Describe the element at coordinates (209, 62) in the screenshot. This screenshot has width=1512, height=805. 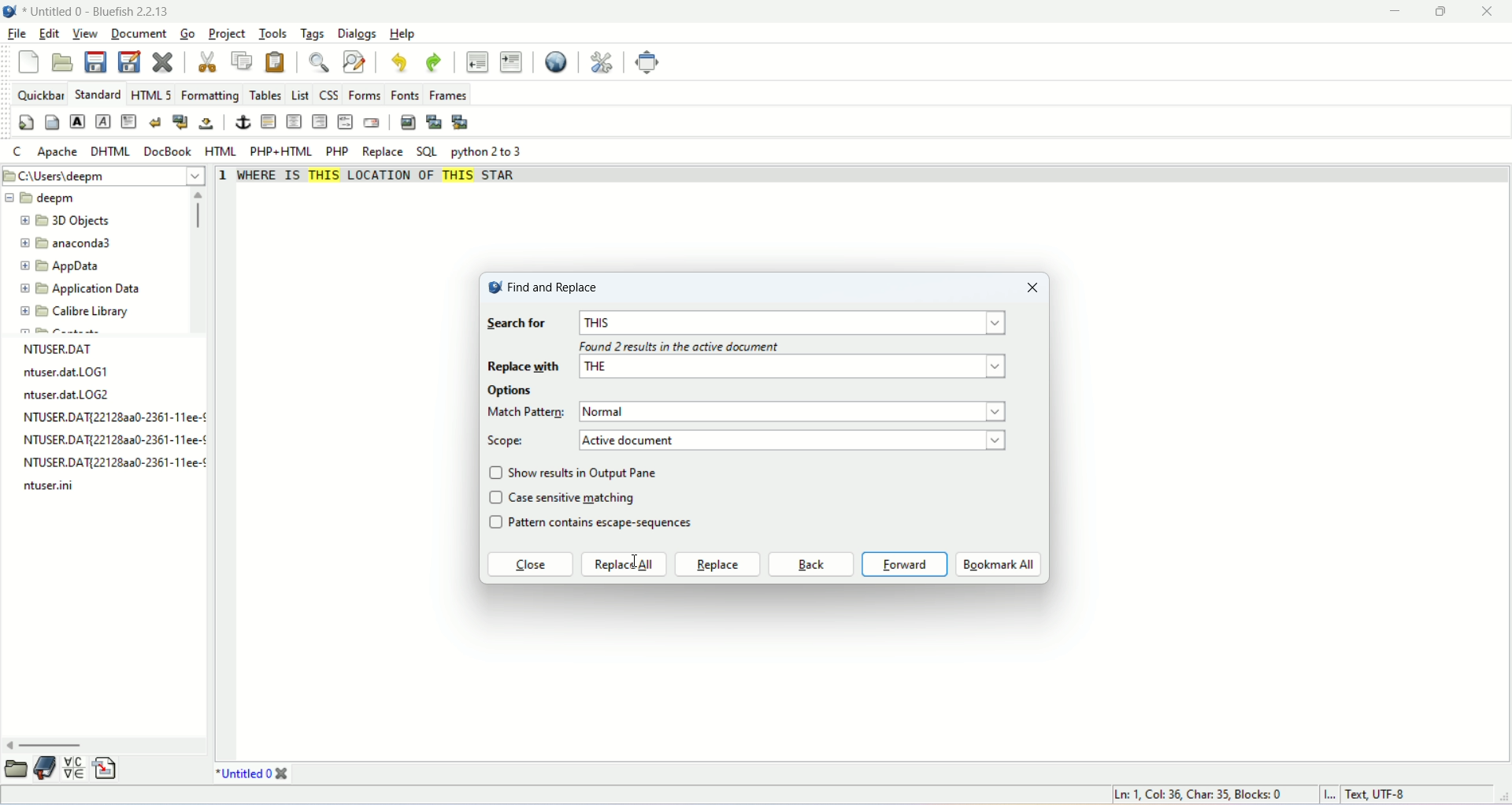
I see `cut` at that location.